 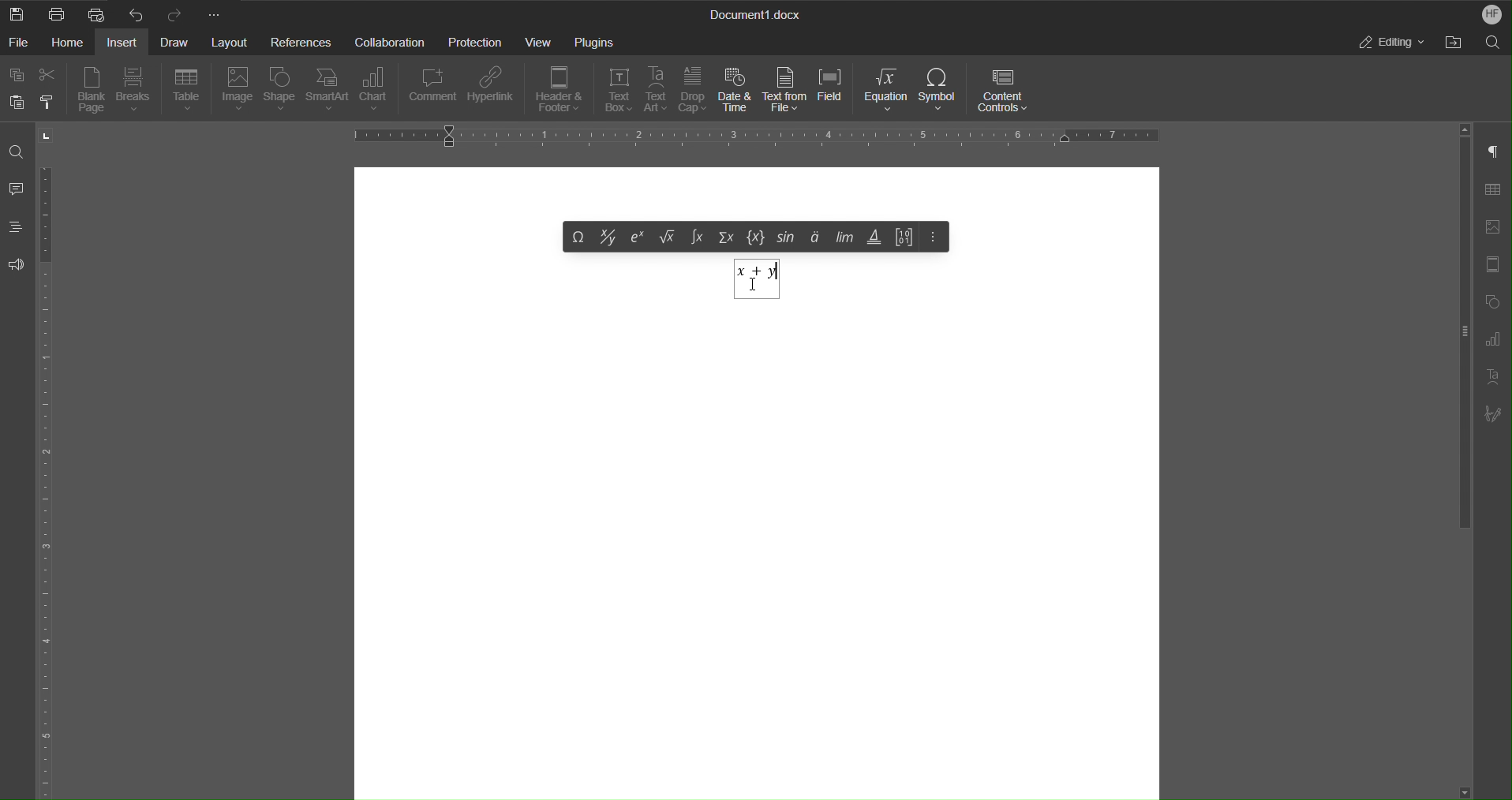 What do you see at coordinates (815, 237) in the screenshot?
I see `Accents` at bounding box center [815, 237].